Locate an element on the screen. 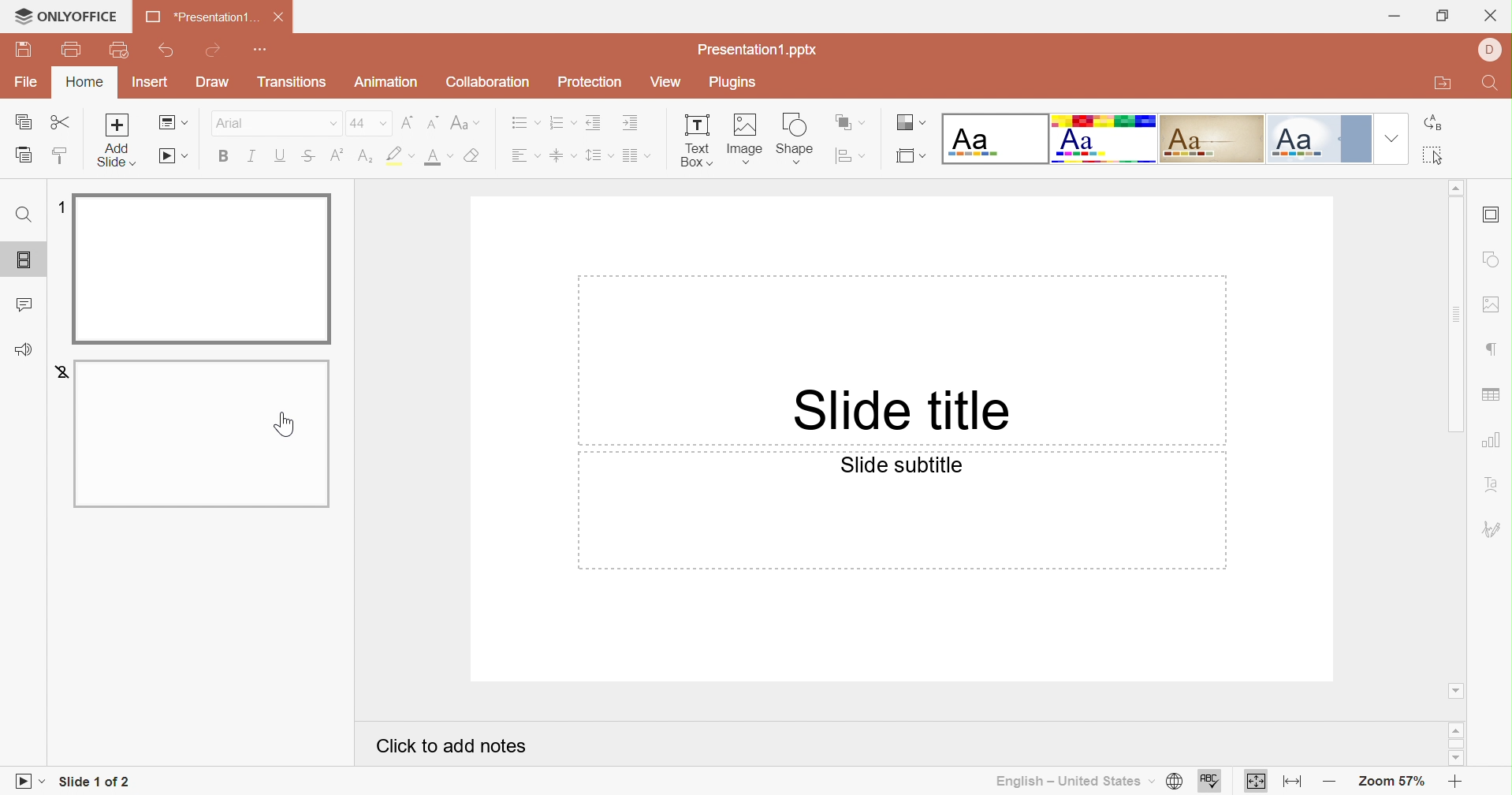 Image resolution: width=1512 pixels, height=795 pixels. Plugins is located at coordinates (733, 83).